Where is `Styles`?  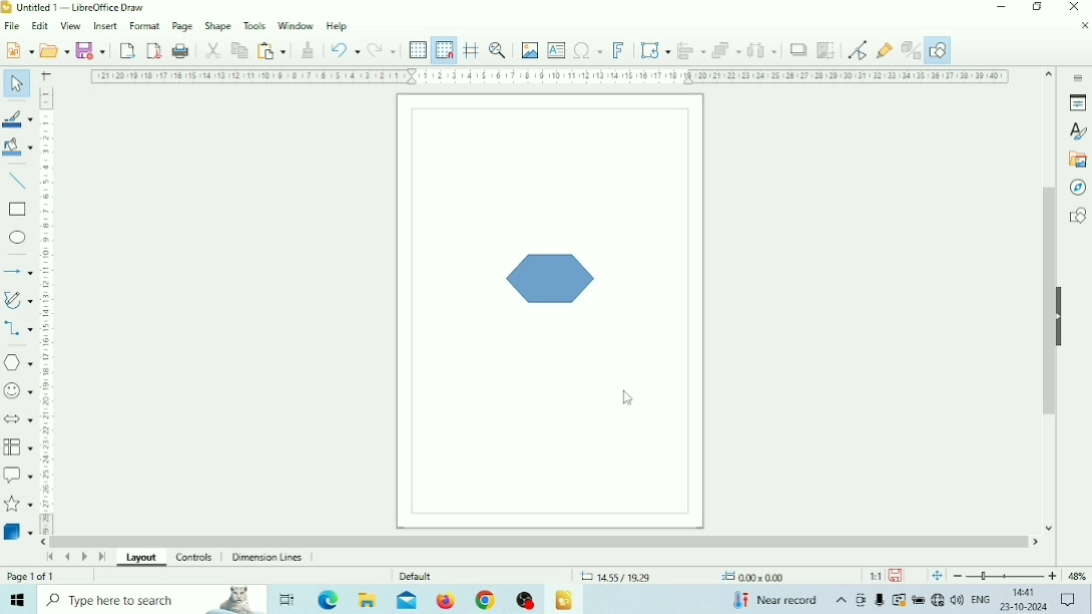
Styles is located at coordinates (1077, 132).